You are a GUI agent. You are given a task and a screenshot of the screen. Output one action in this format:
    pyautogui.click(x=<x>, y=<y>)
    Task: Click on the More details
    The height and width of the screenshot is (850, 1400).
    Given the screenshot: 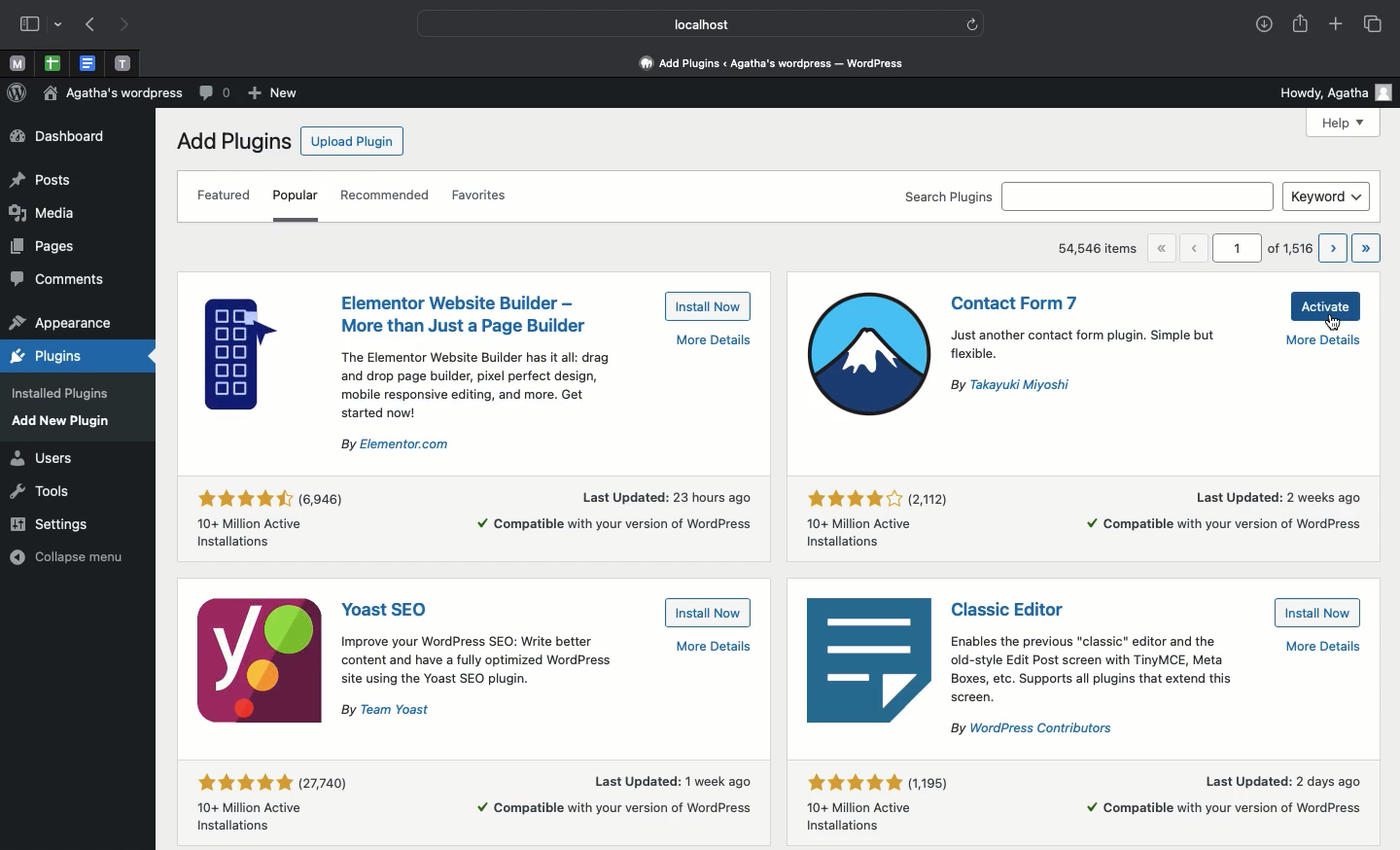 What is the action you would take?
    pyautogui.click(x=614, y=509)
    